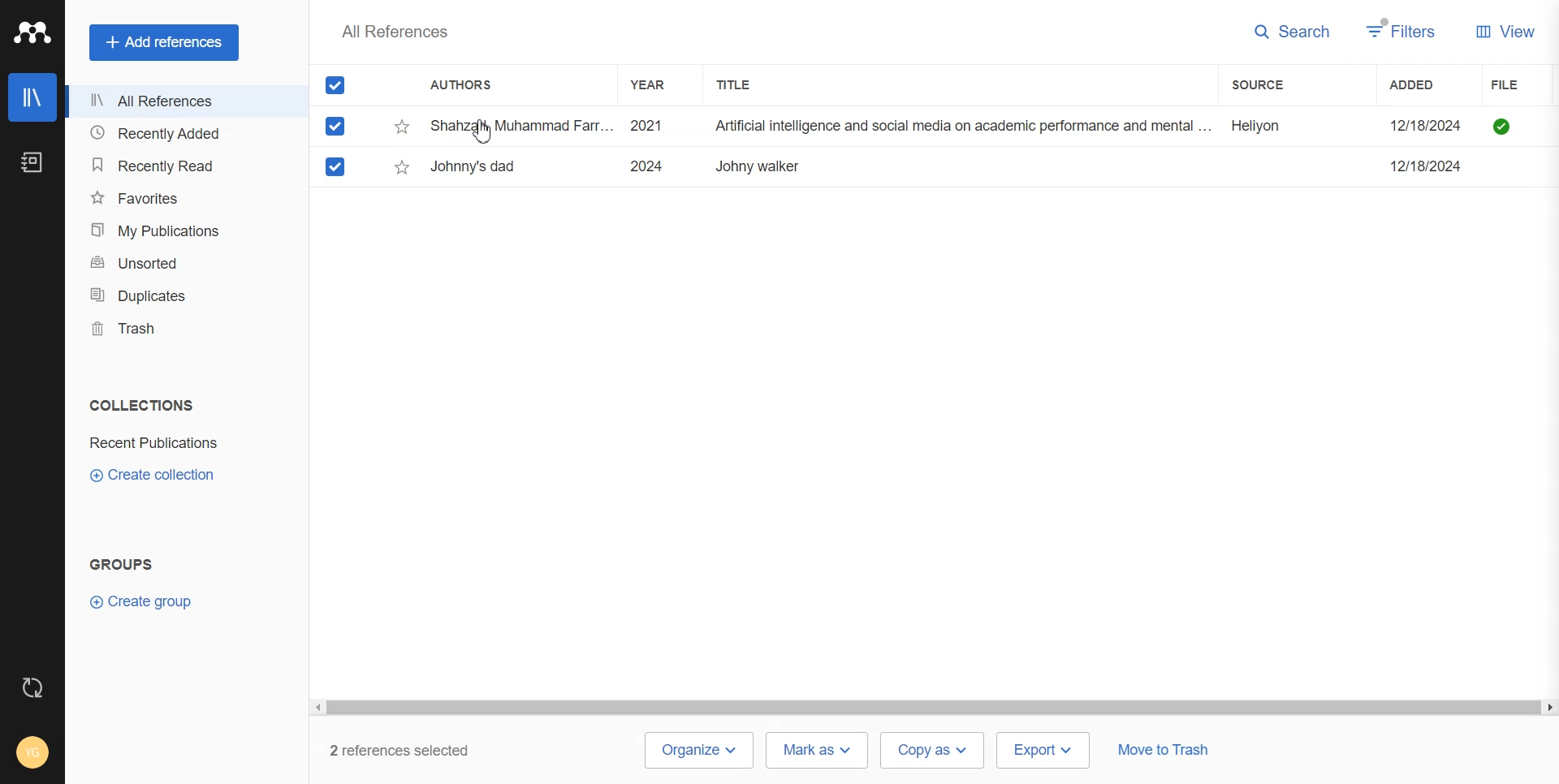  I want to click on View, so click(1505, 30).